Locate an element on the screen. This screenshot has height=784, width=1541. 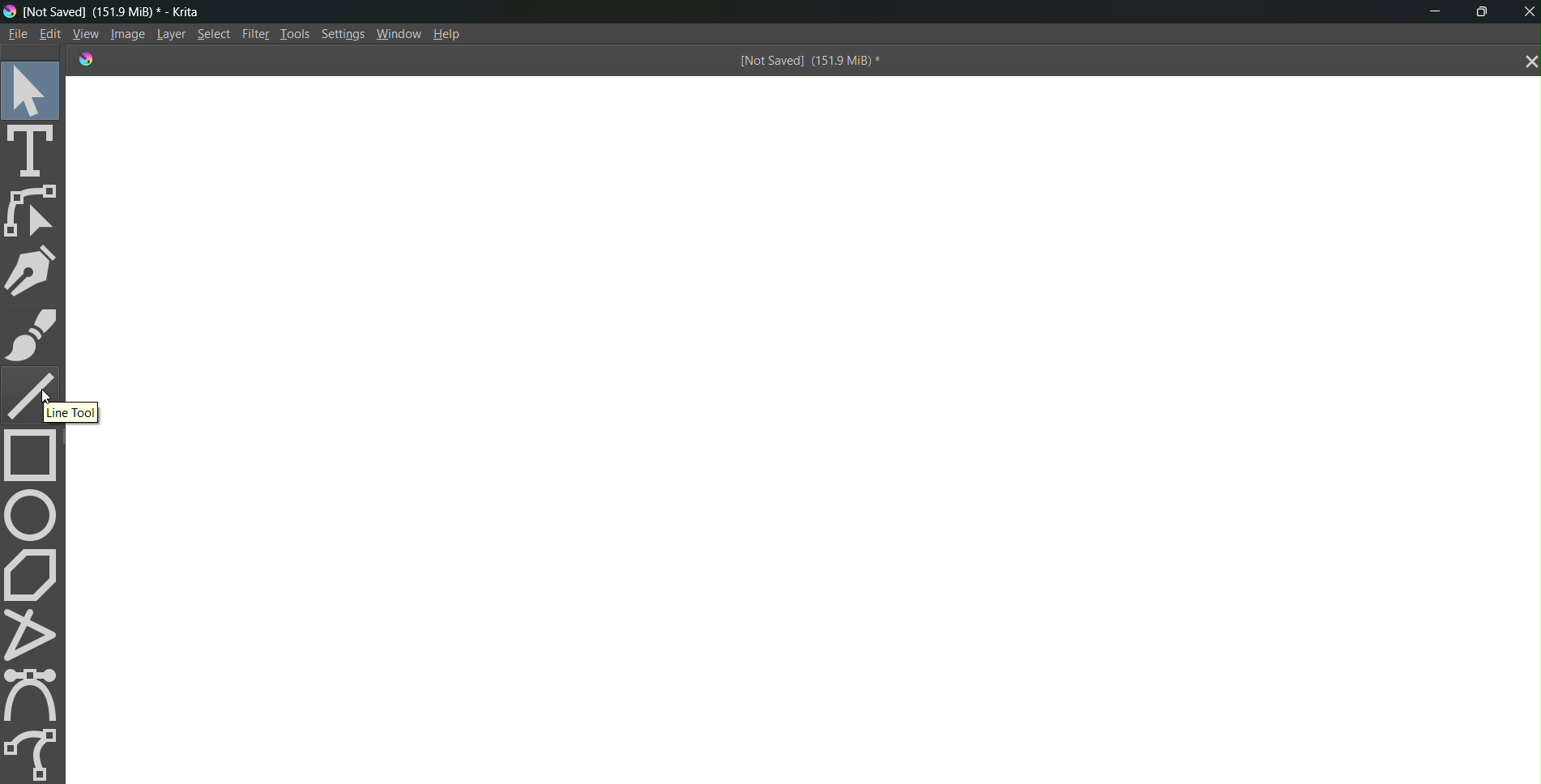
File is located at coordinates (16, 33).